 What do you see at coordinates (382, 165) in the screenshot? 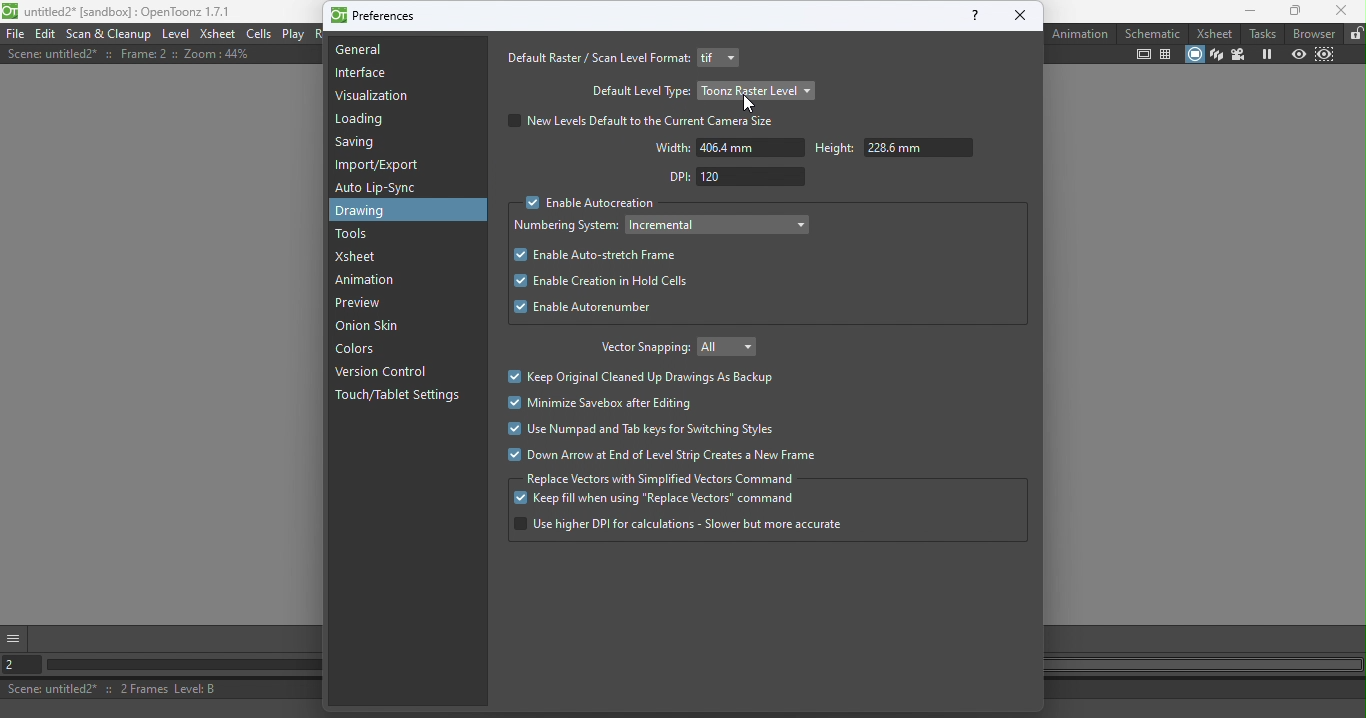
I see `Import/export` at bounding box center [382, 165].